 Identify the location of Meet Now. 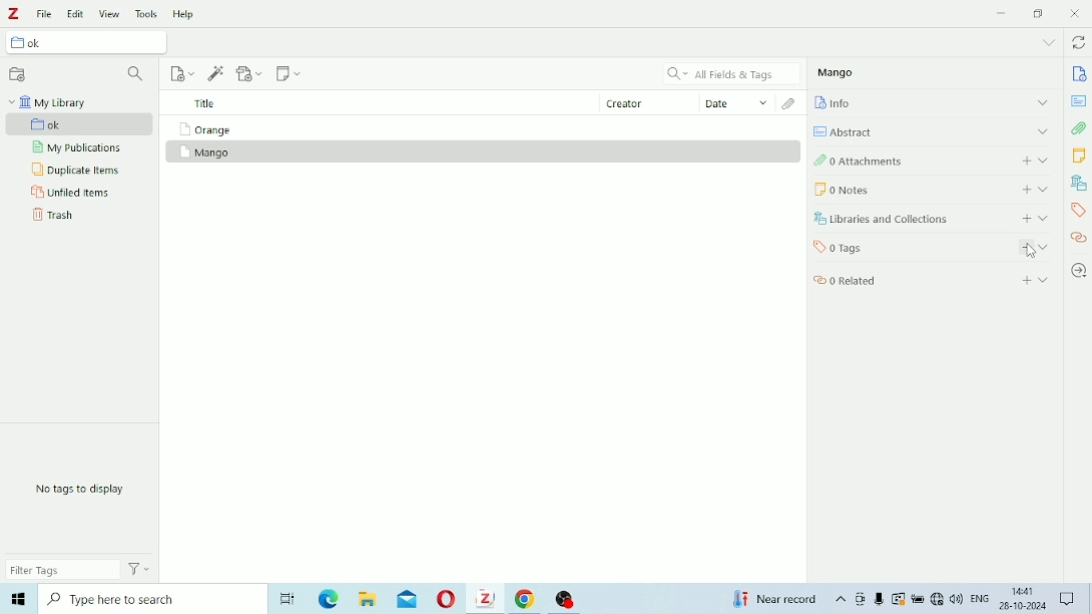
(861, 599).